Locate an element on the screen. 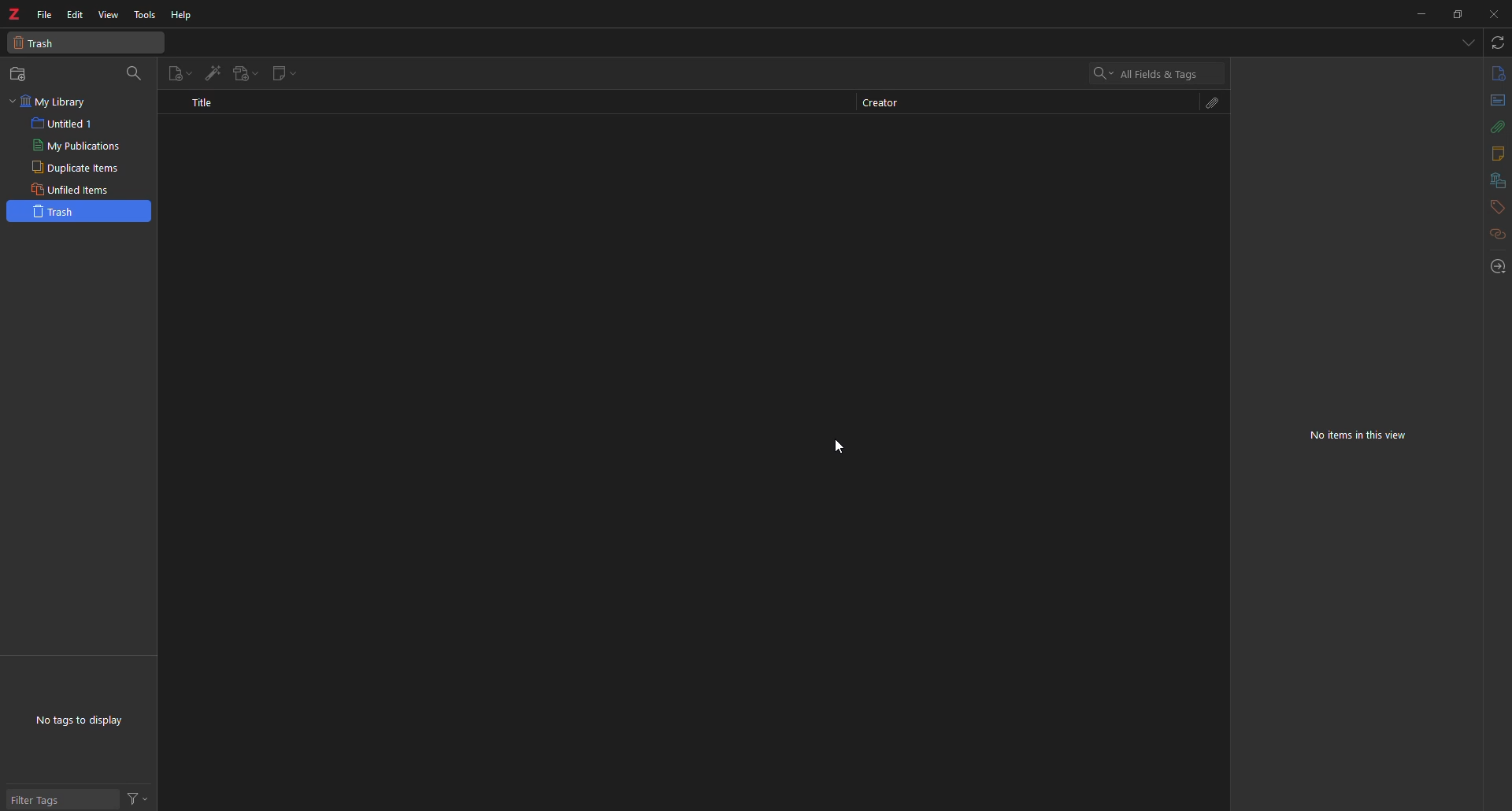 This screenshot has height=811, width=1512. New collection is located at coordinates (18, 77).